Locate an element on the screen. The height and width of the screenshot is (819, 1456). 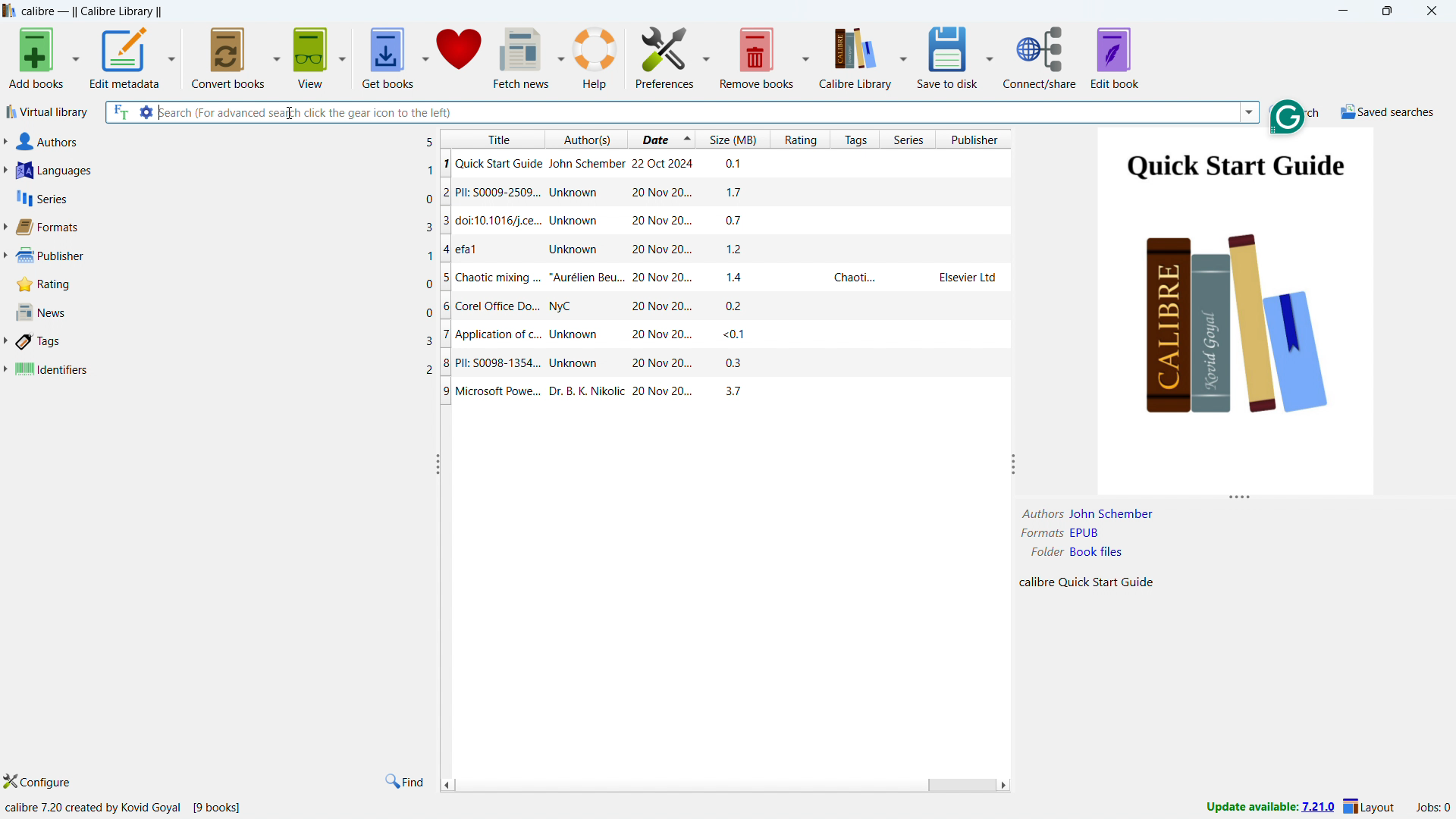
fetch news options is located at coordinates (560, 56).